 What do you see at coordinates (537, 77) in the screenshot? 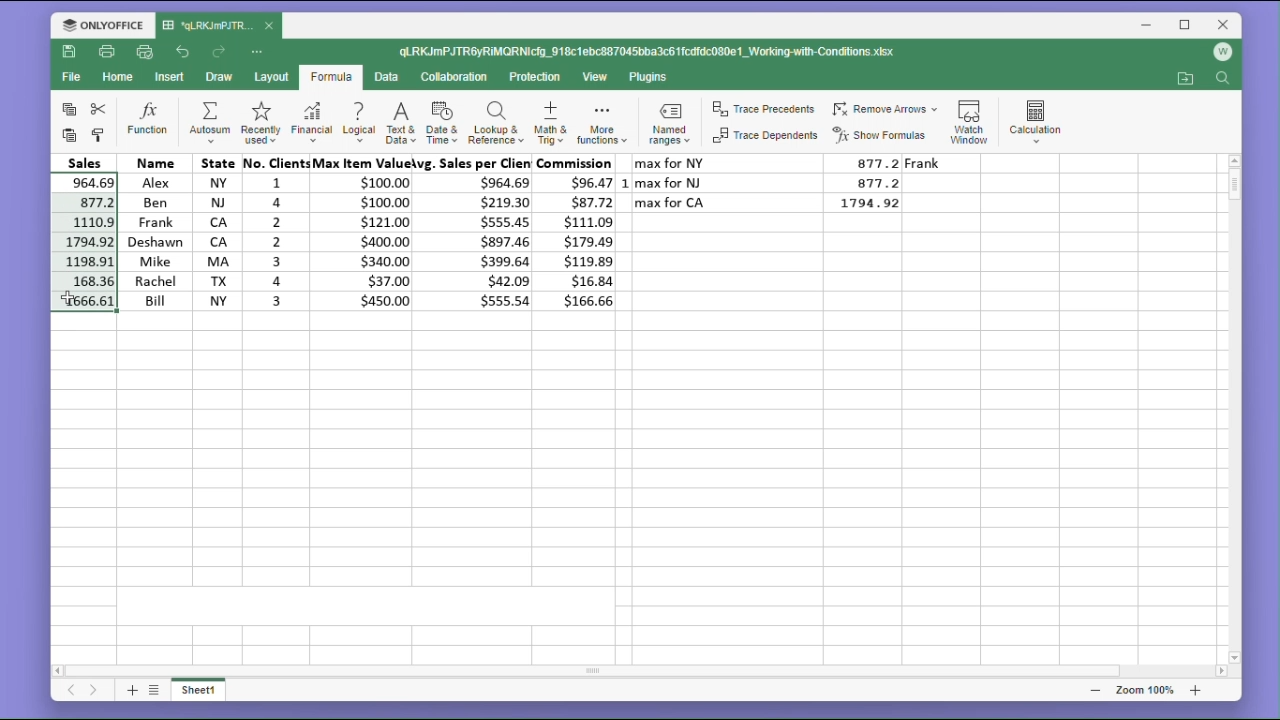
I see `protection` at bounding box center [537, 77].